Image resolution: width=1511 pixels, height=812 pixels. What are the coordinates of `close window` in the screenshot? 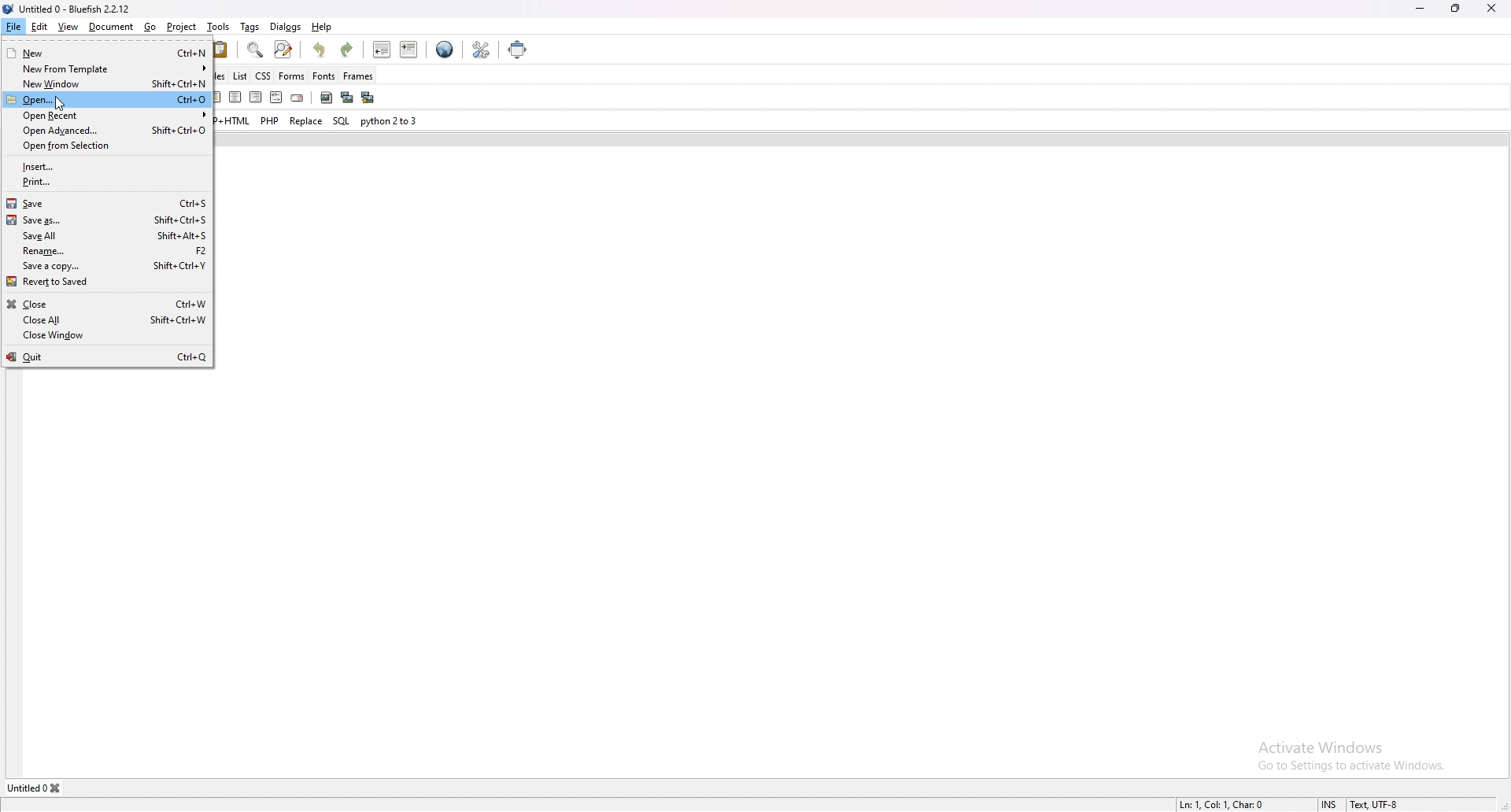 It's located at (50, 336).